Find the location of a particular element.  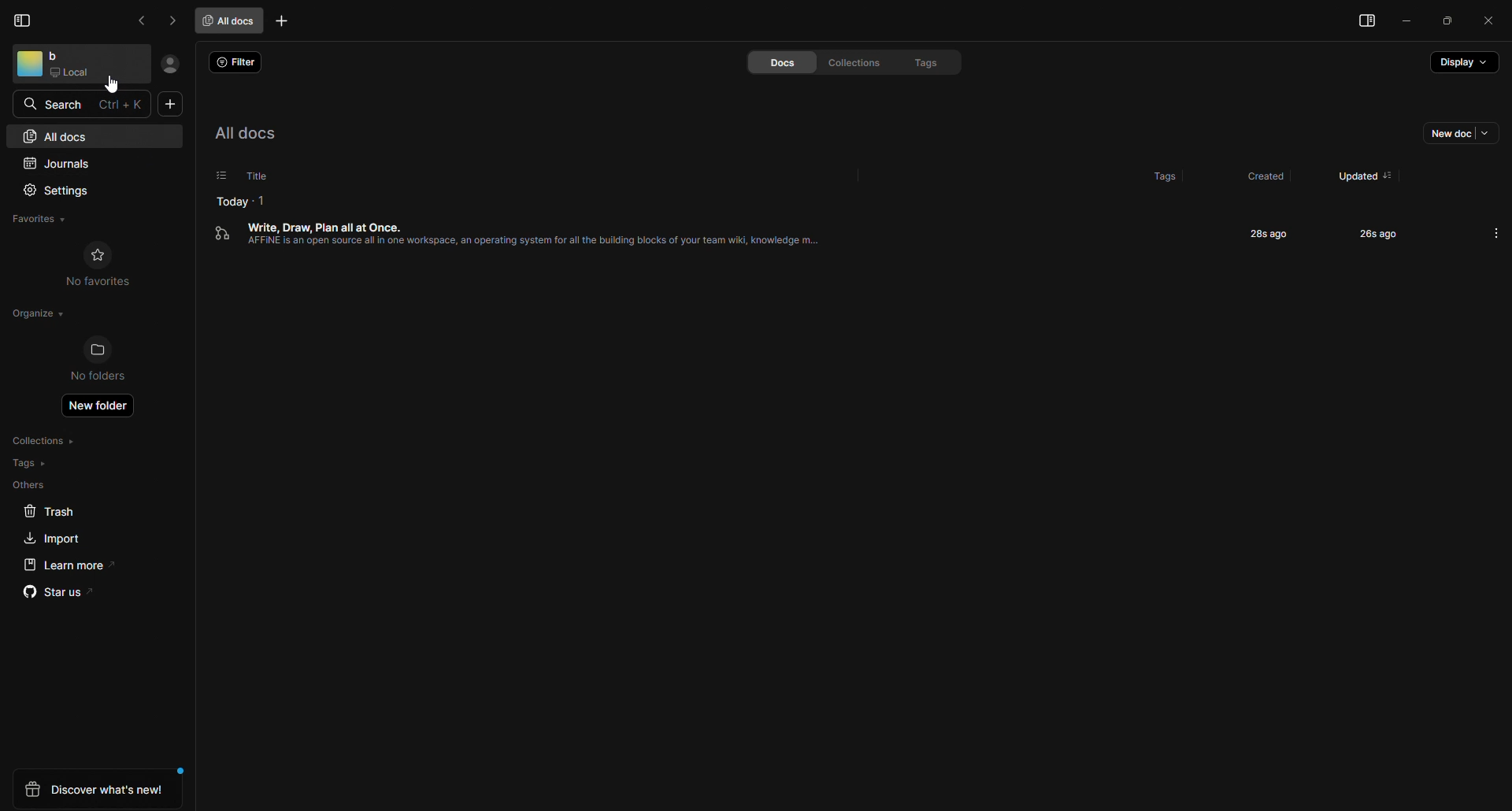

new tab is located at coordinates (284, 23).